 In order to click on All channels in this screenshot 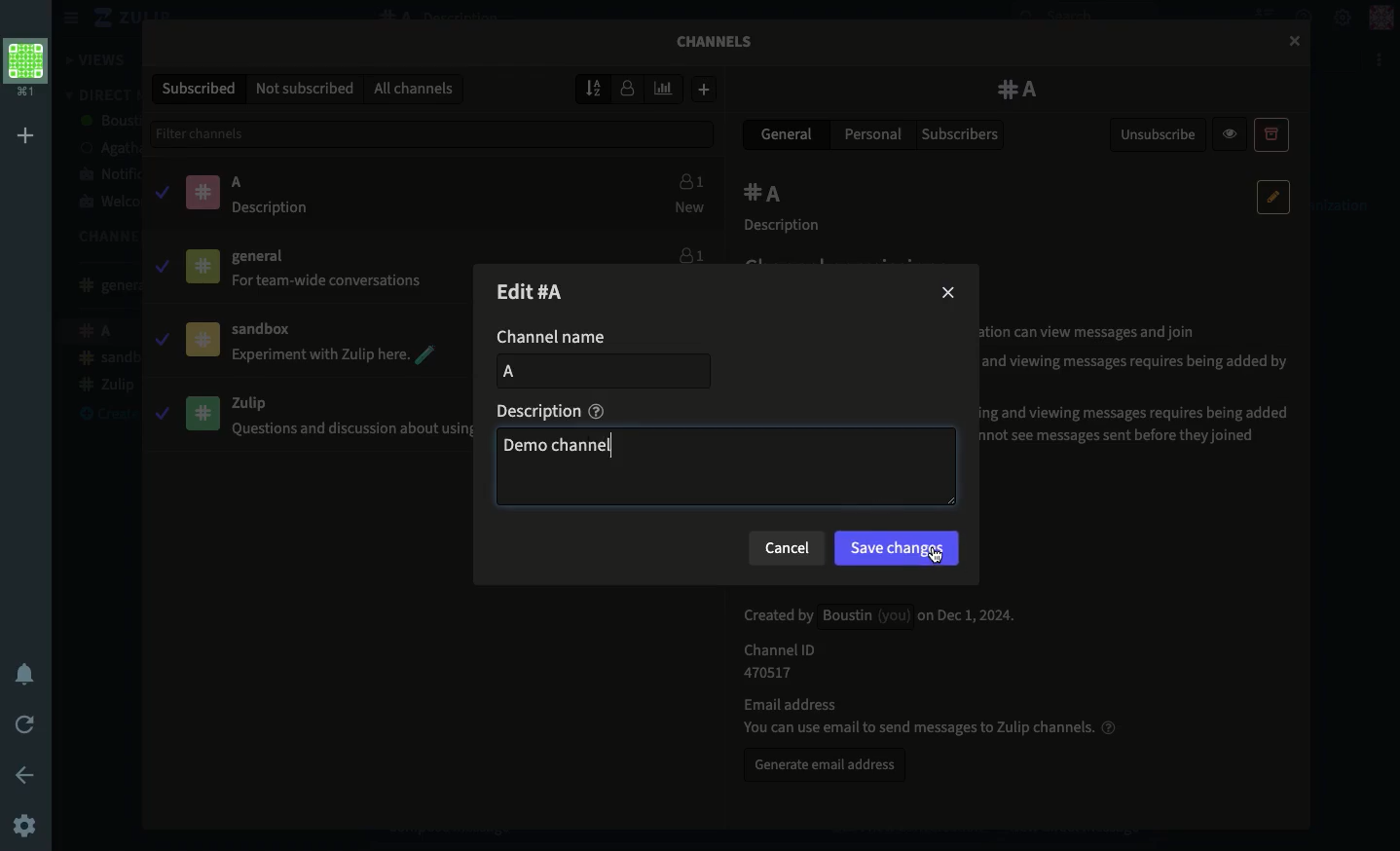, I will do `click(412, 90)`.